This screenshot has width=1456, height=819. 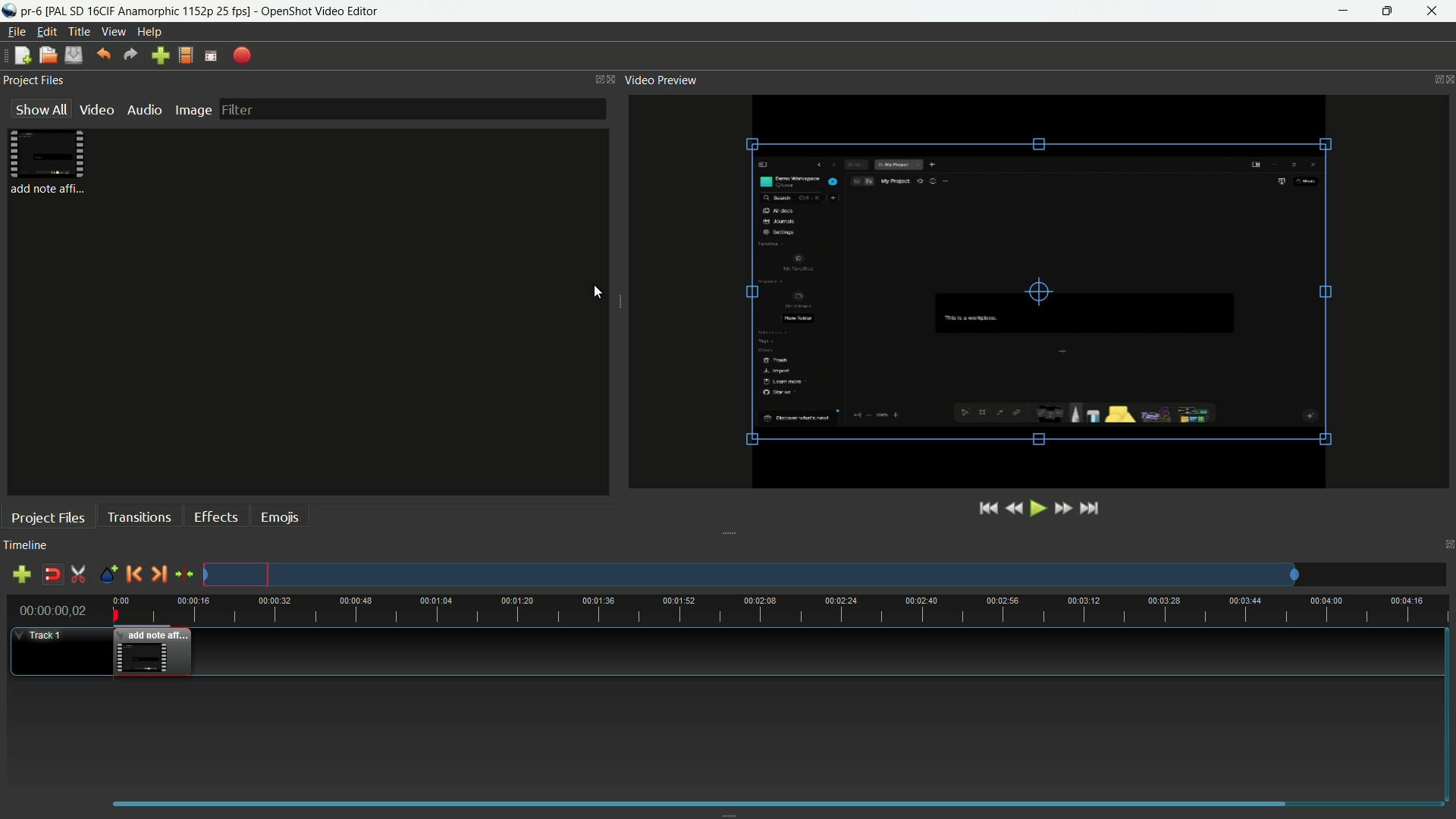 I want to click on project files, so click(x=48, y=518).